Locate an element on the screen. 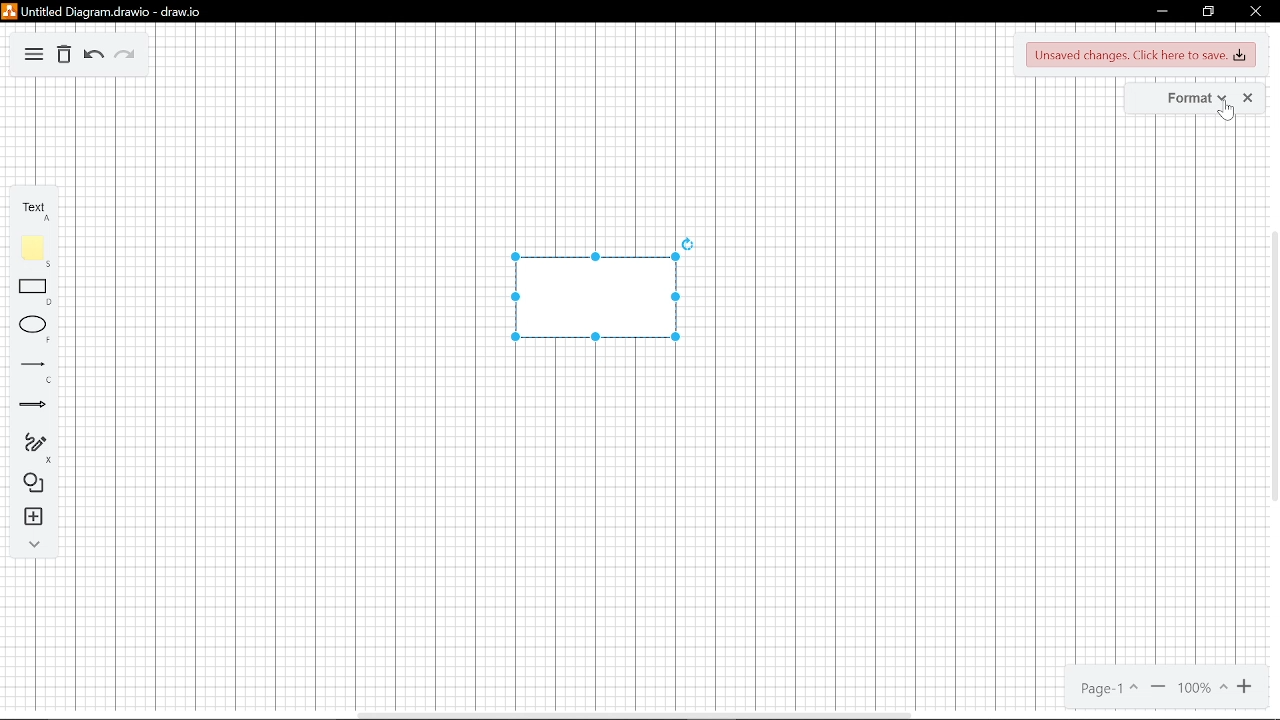  Color is located at coordinates (36, 247).